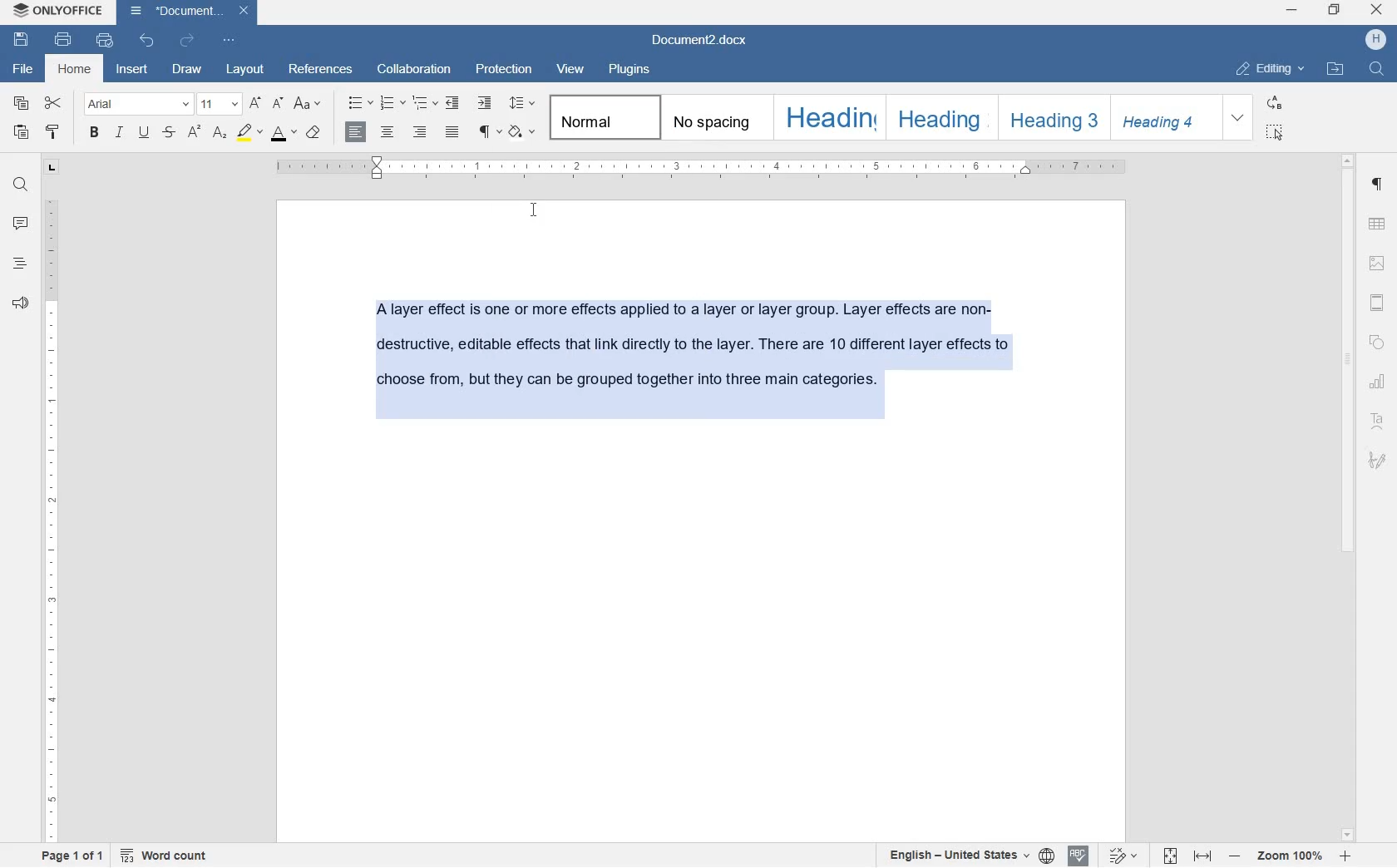  I want to click on copy style, so click(53, 133).